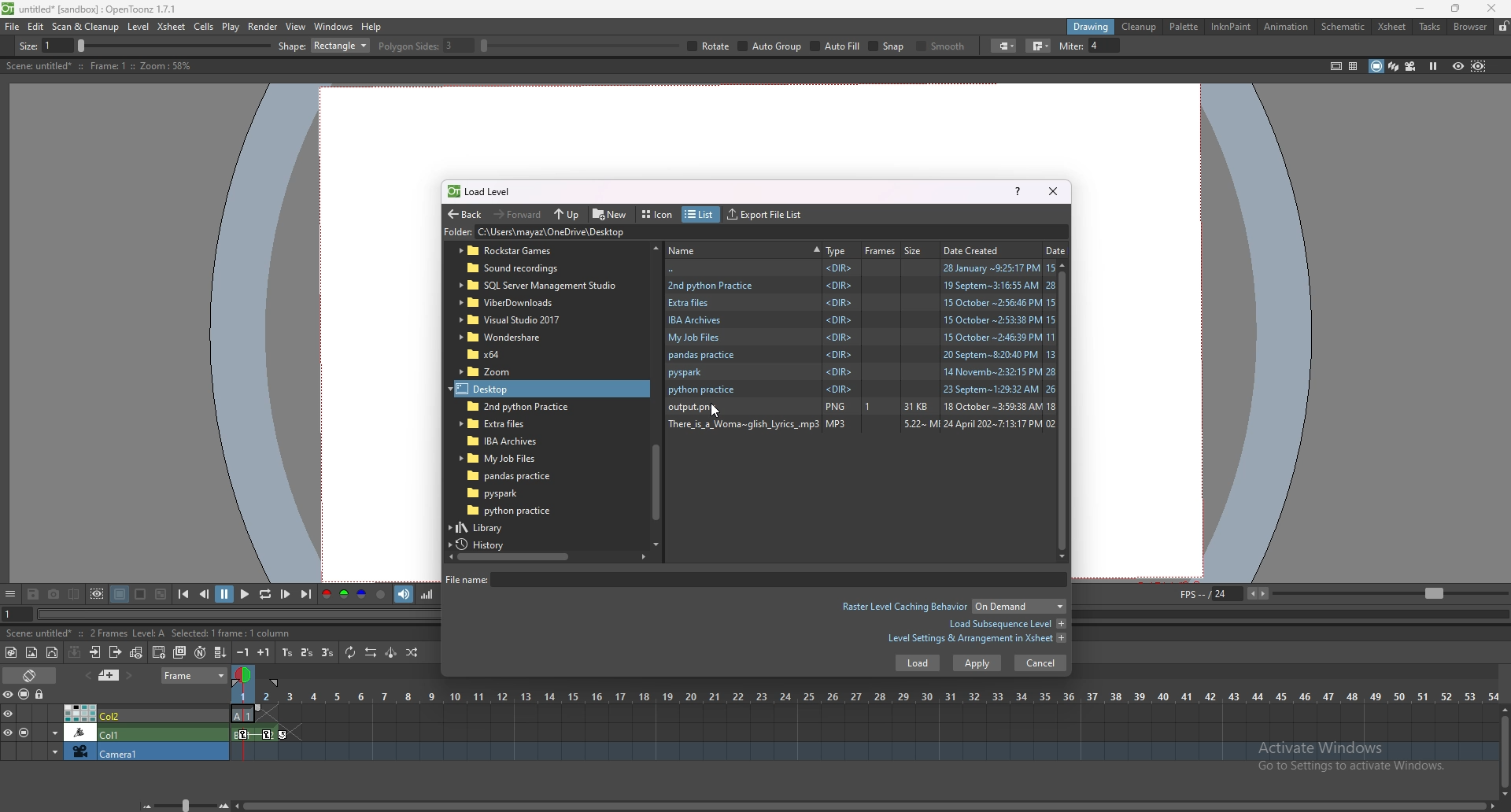  I want to click on edit, so click(36, 26).